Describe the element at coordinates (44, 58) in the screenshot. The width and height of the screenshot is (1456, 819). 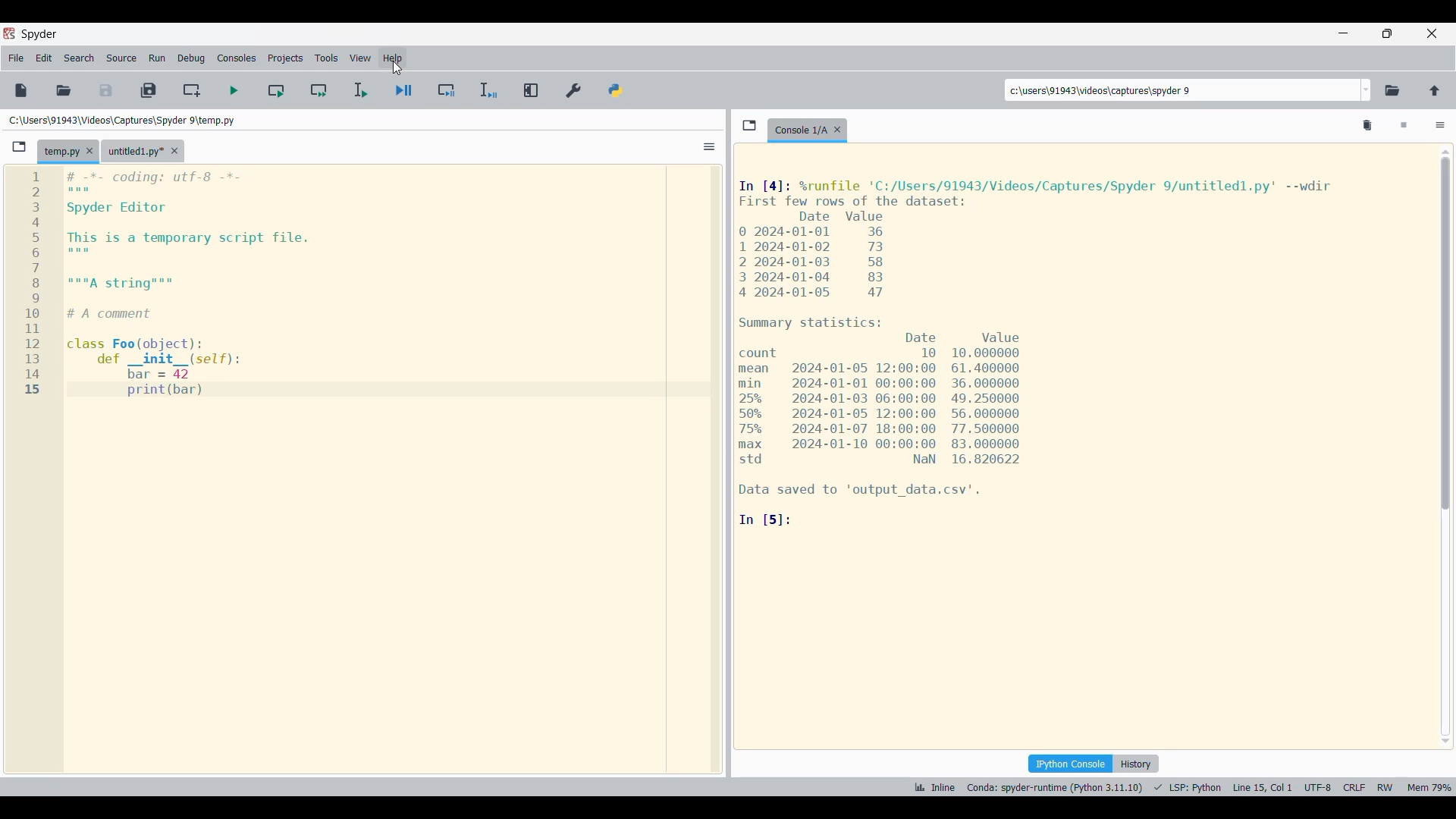
I see `Edit menu` at that location.